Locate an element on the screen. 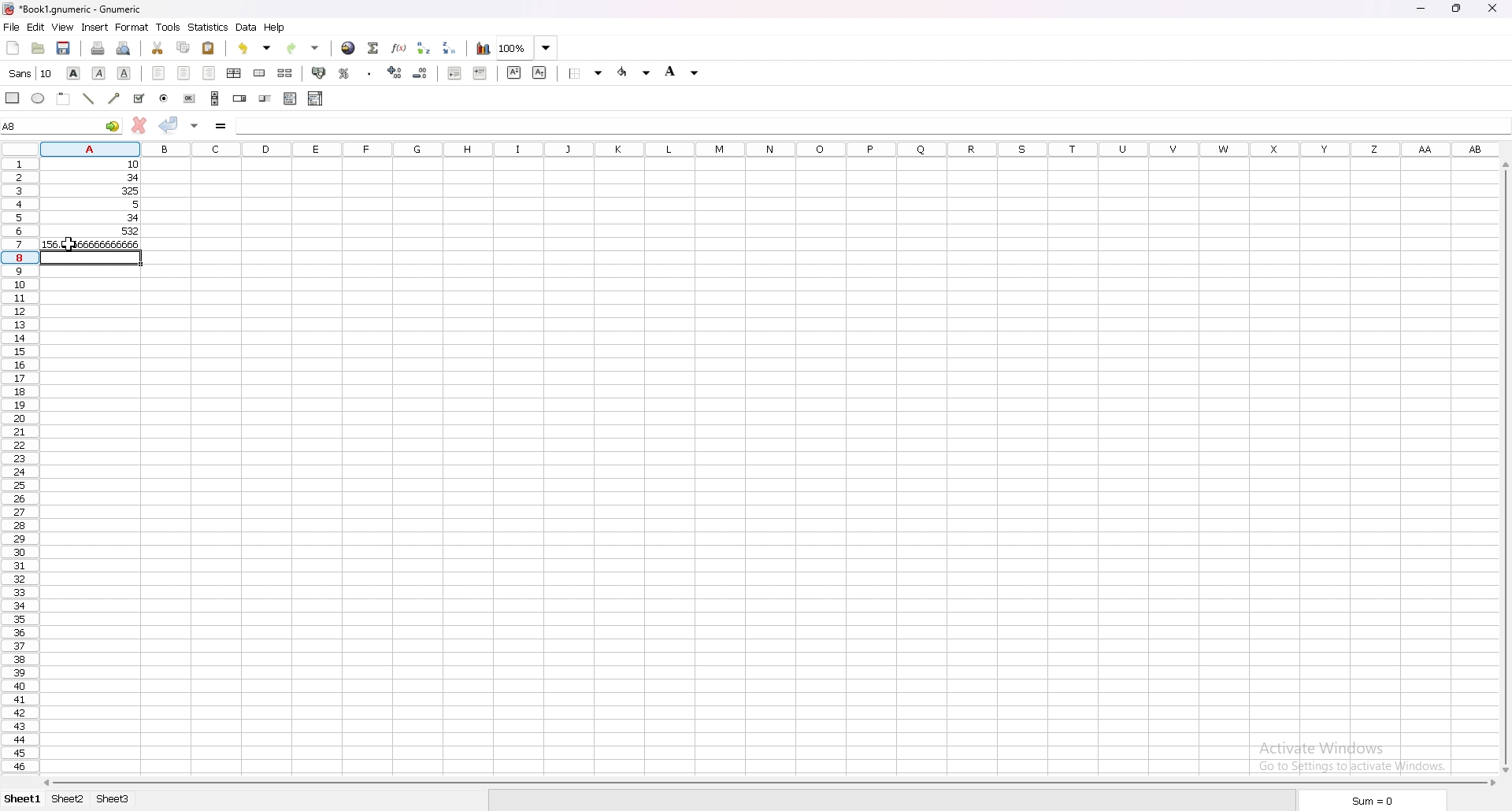  formula is located at coordinates (220, 125).